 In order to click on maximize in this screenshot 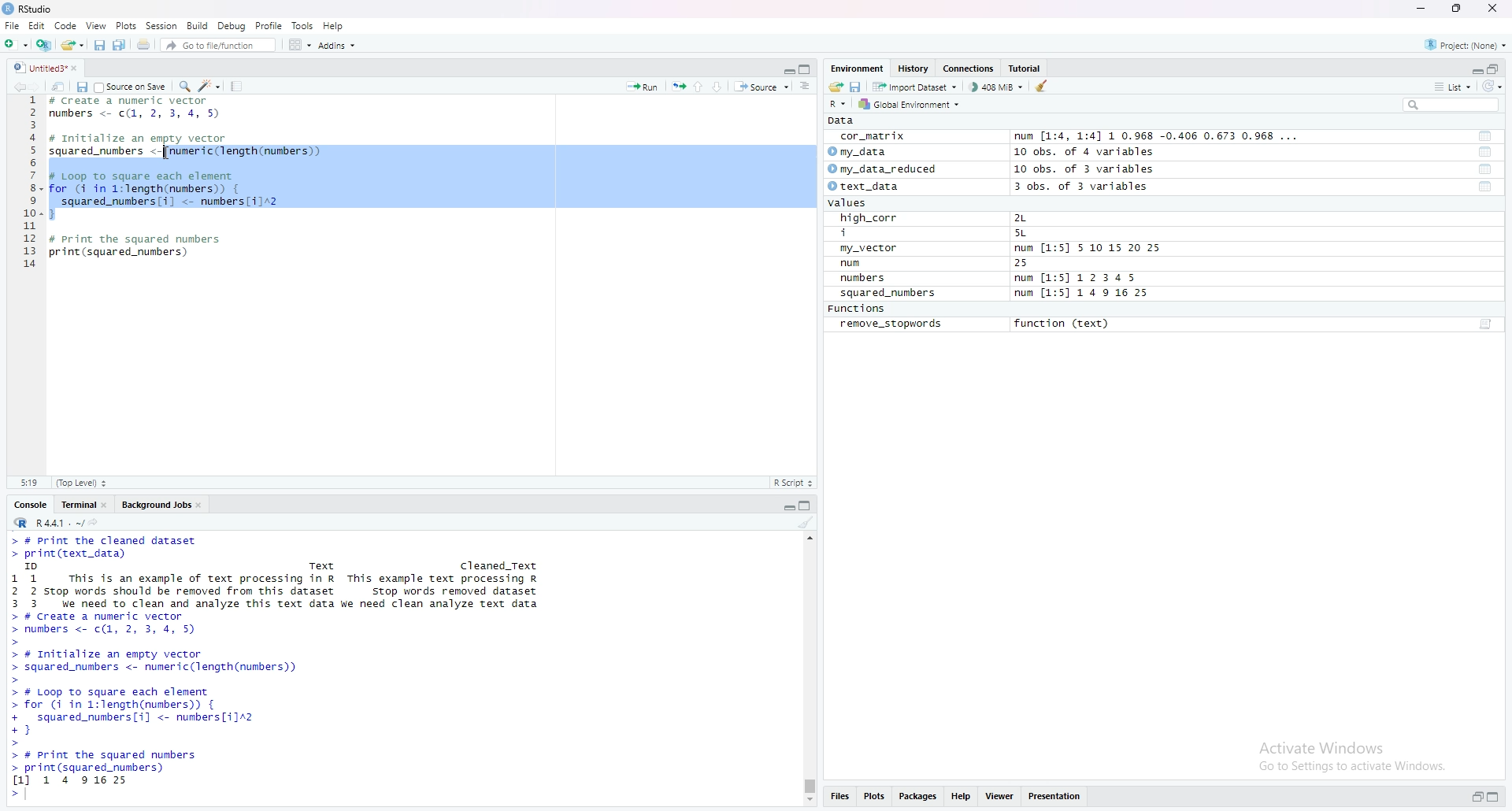, I will do `click(808, 504)`.